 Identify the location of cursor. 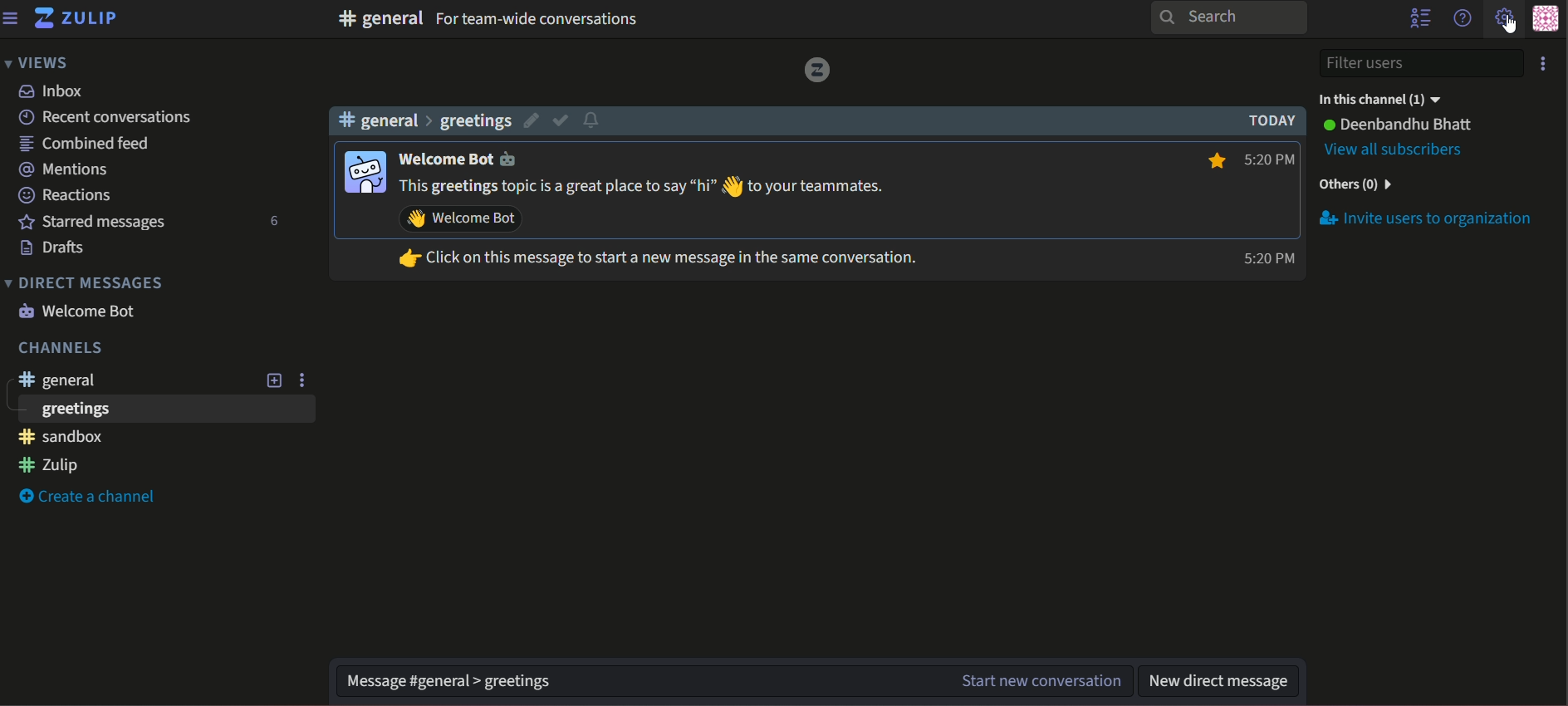
(1516, 27).